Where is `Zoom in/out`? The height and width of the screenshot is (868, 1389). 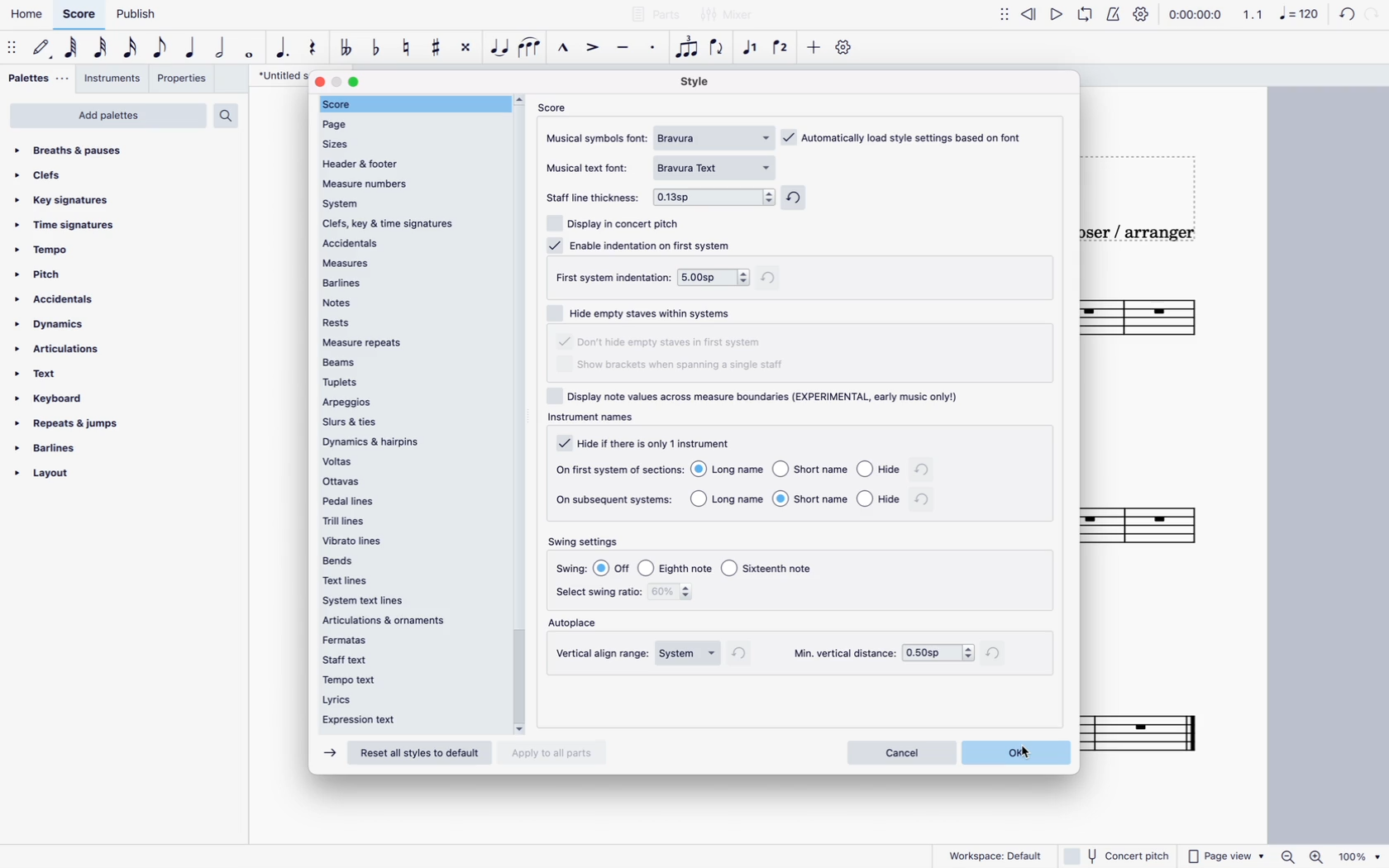 Zoom in/out is located at coordinates (1300, 856).